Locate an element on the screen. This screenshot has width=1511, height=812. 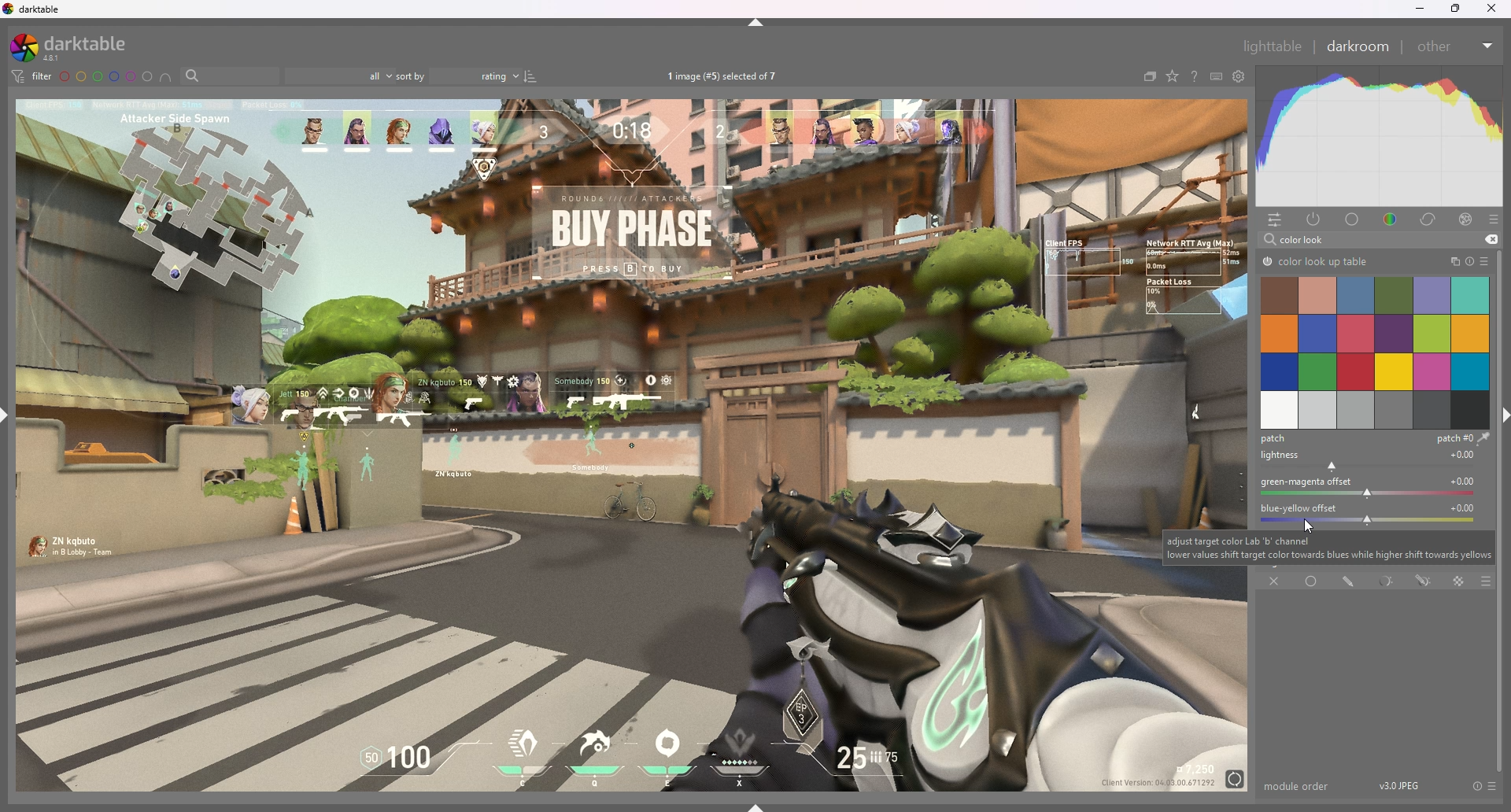
drawn mask is located at coordinates (1347, 581).